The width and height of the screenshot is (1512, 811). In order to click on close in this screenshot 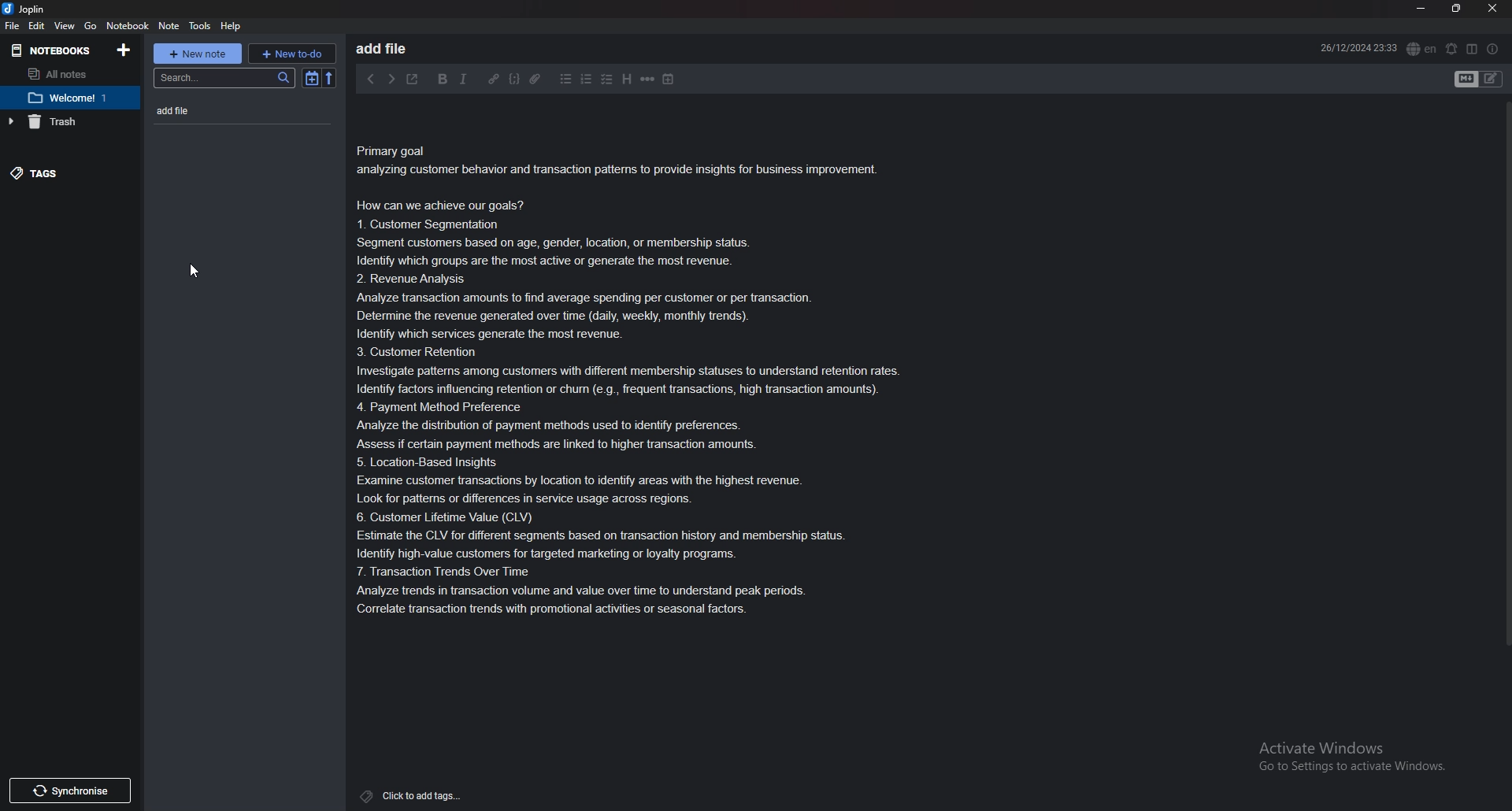, I will do `click(1492, 8)`.